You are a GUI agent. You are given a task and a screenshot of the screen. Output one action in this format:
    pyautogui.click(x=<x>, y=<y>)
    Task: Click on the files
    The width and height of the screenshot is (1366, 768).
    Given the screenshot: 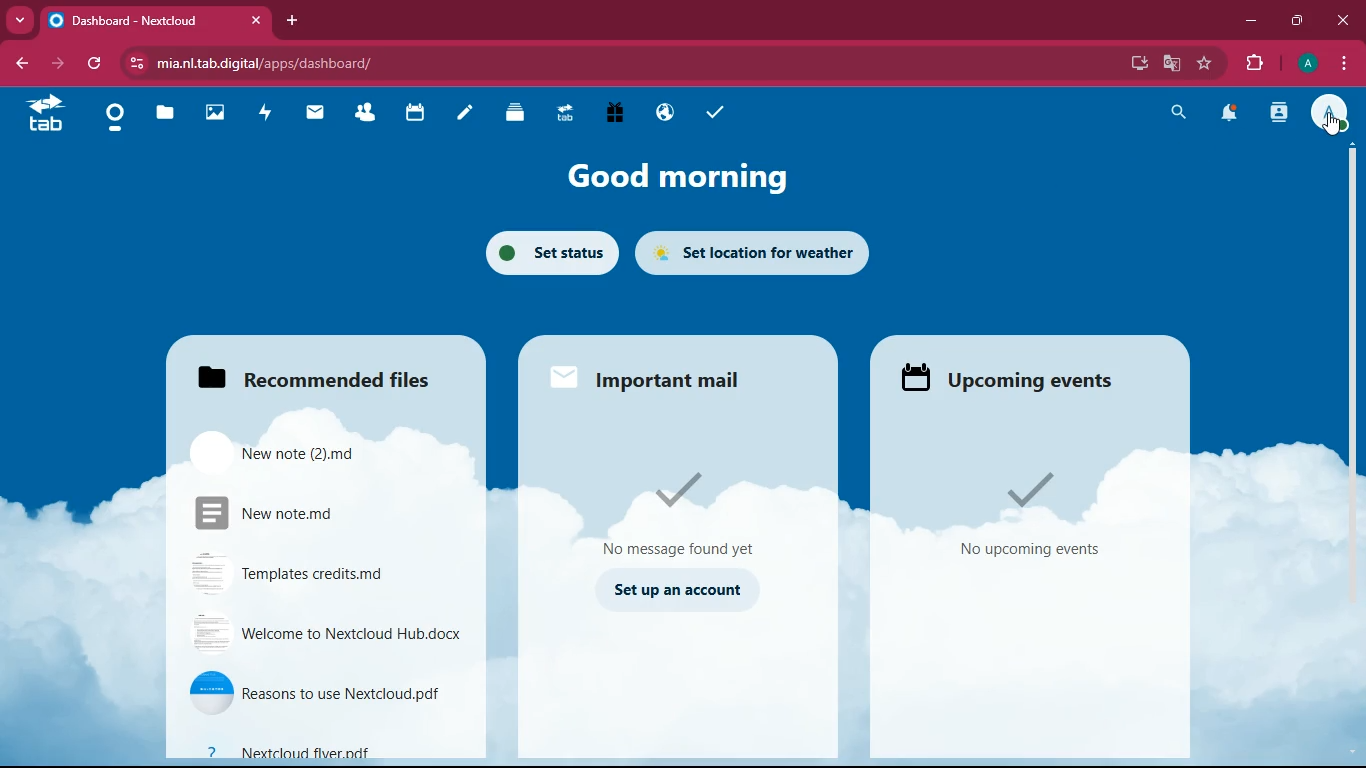 What is the action you would take?
    pyautogui.click(x=163, y=114)
    